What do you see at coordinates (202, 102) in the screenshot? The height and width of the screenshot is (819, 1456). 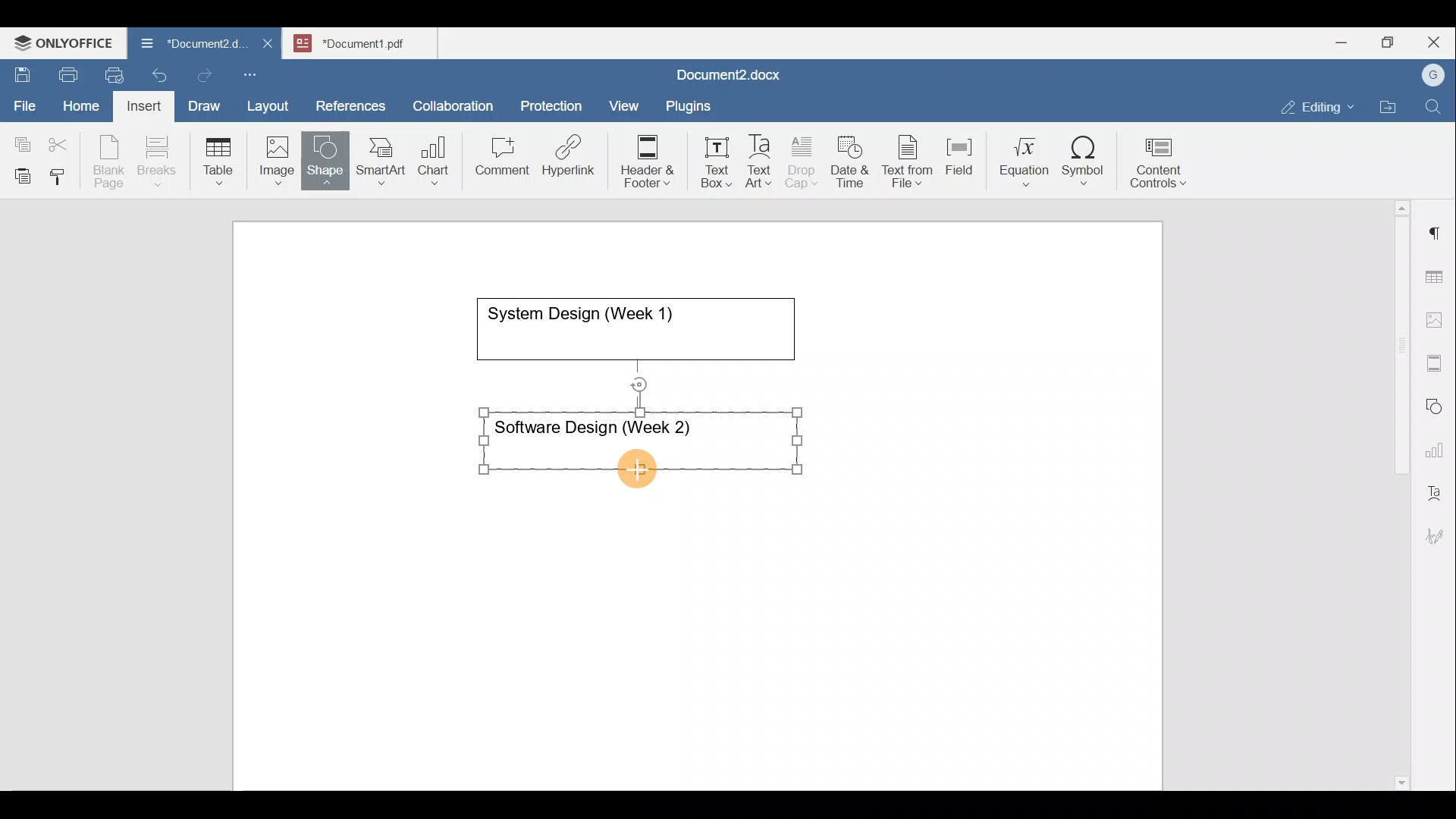 I see `Draw` at bounding box center [202, 102].